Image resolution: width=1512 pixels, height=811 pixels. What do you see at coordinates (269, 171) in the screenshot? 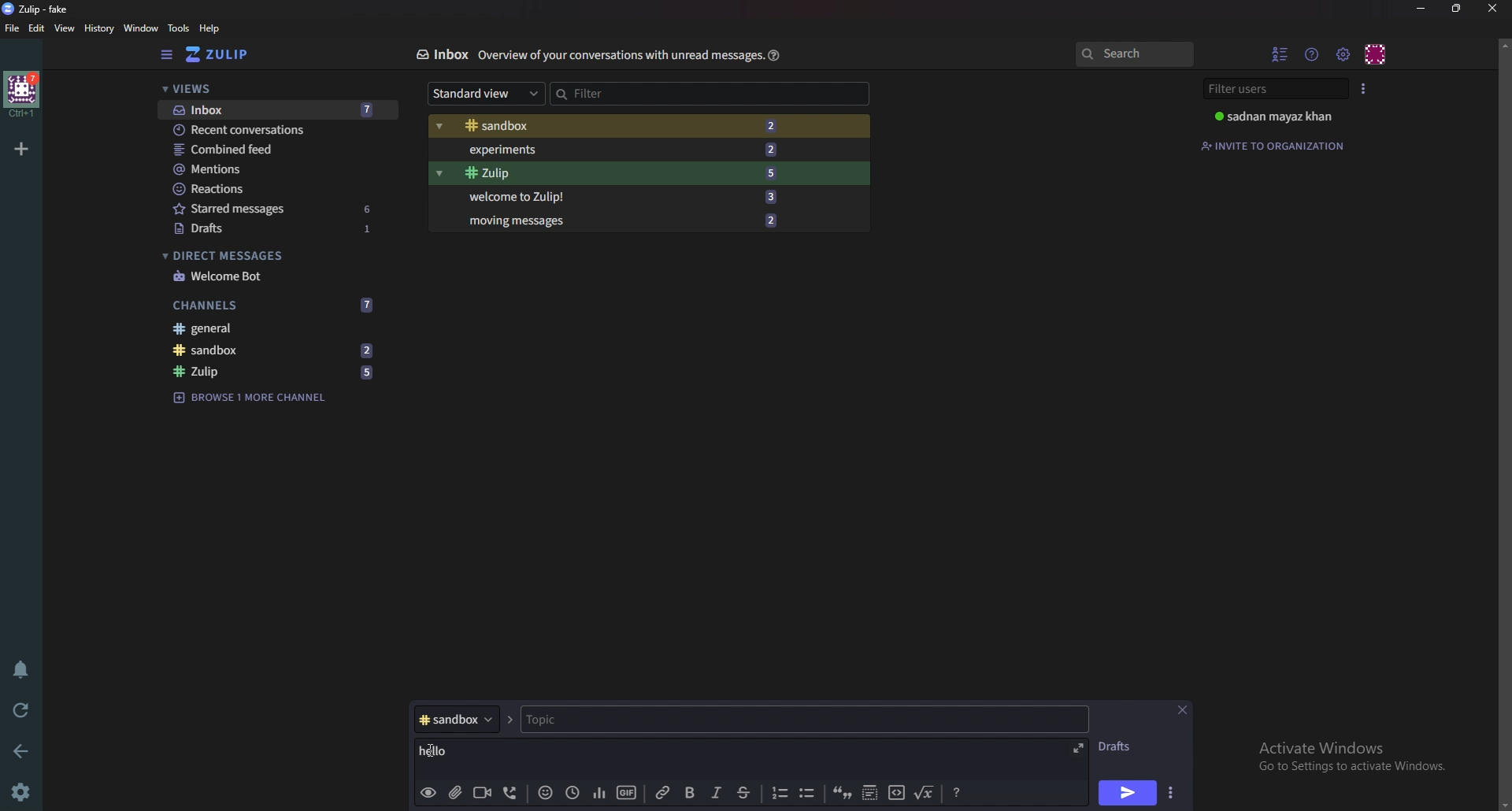
I see `Mentions` at bounding box center [269, 171].